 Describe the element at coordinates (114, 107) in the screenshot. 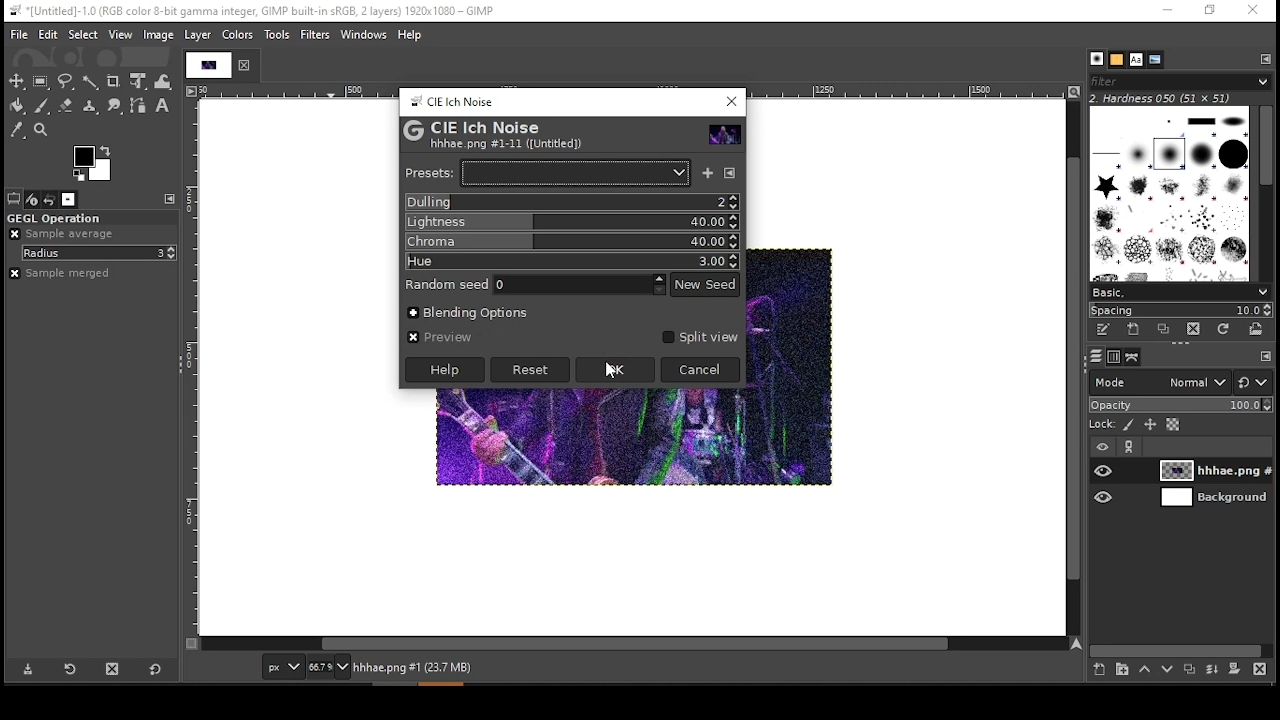

I see `smudge tool` at that location.